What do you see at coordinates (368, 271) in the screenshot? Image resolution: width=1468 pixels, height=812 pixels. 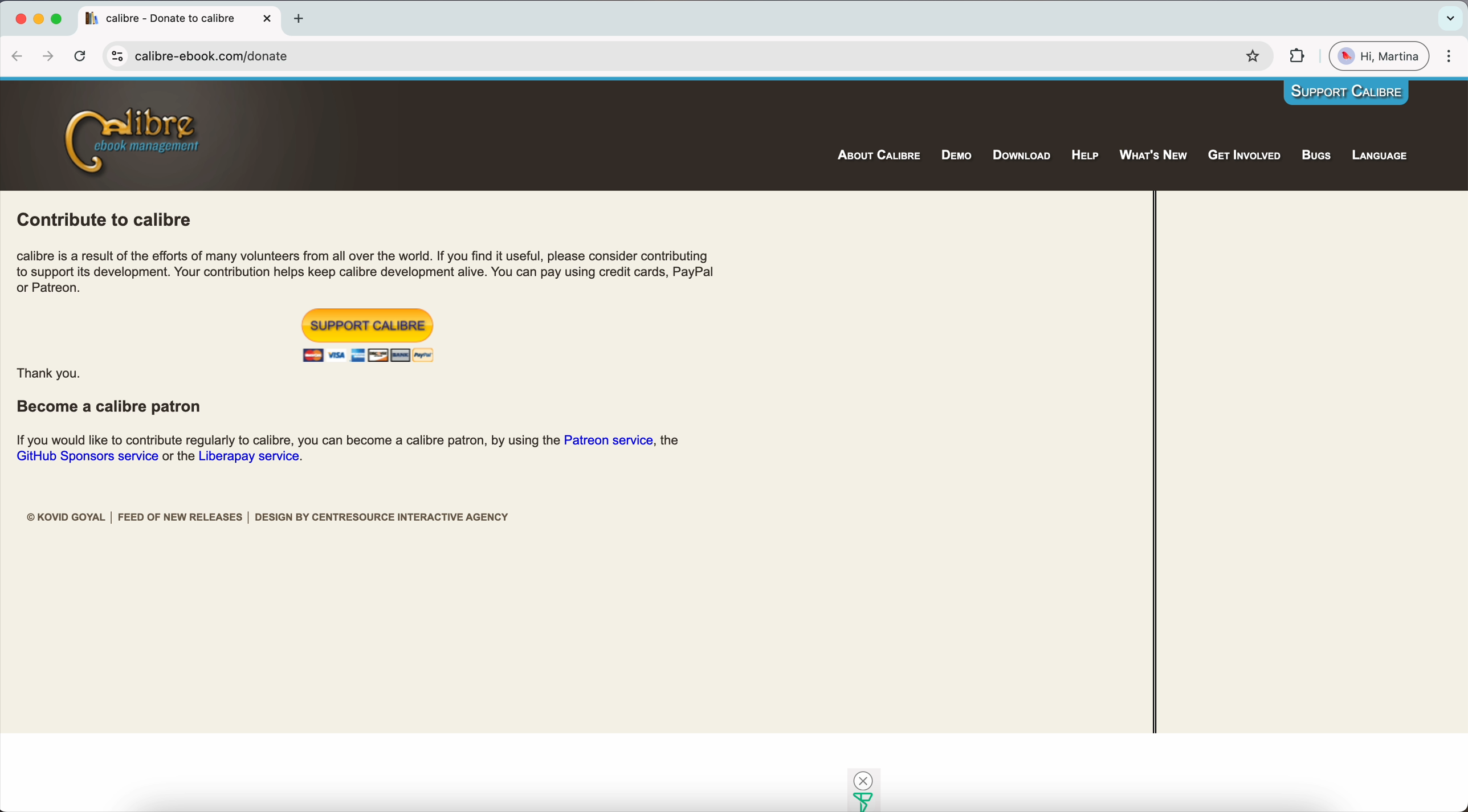 I see `calibre is a result of the efforts of many volunteers from all over the world. If you find it useful, please consider contributing to support its development. Your contribution helps keep calibre development alive. You can pay using credit cards, PayPal or Patreon.` at bounding box center [368, 271].